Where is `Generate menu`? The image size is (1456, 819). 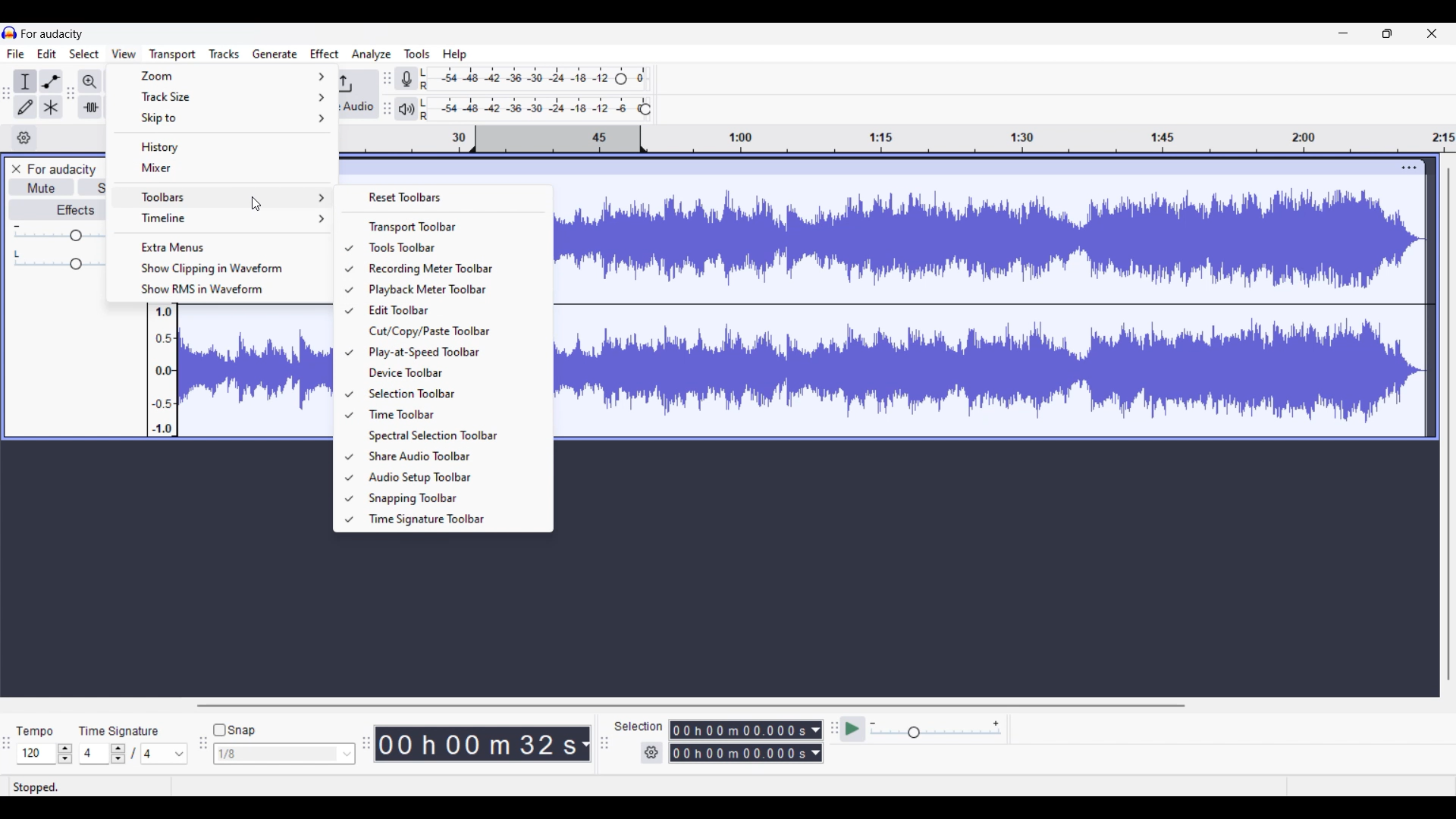
Generate menu is located at coordinates (275, 54).